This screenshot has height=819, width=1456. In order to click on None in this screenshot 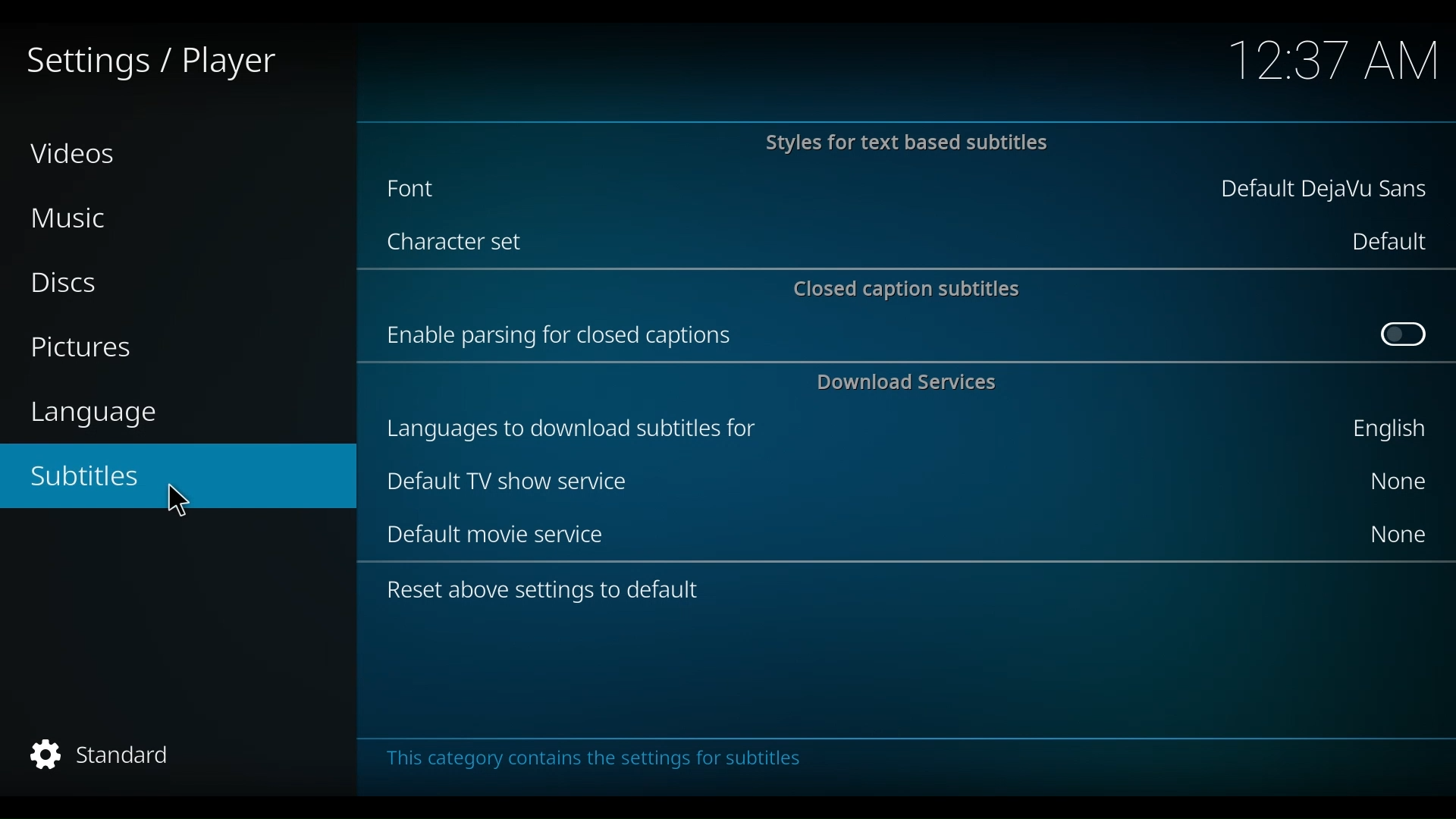, I will do `click(1396, 535)`.